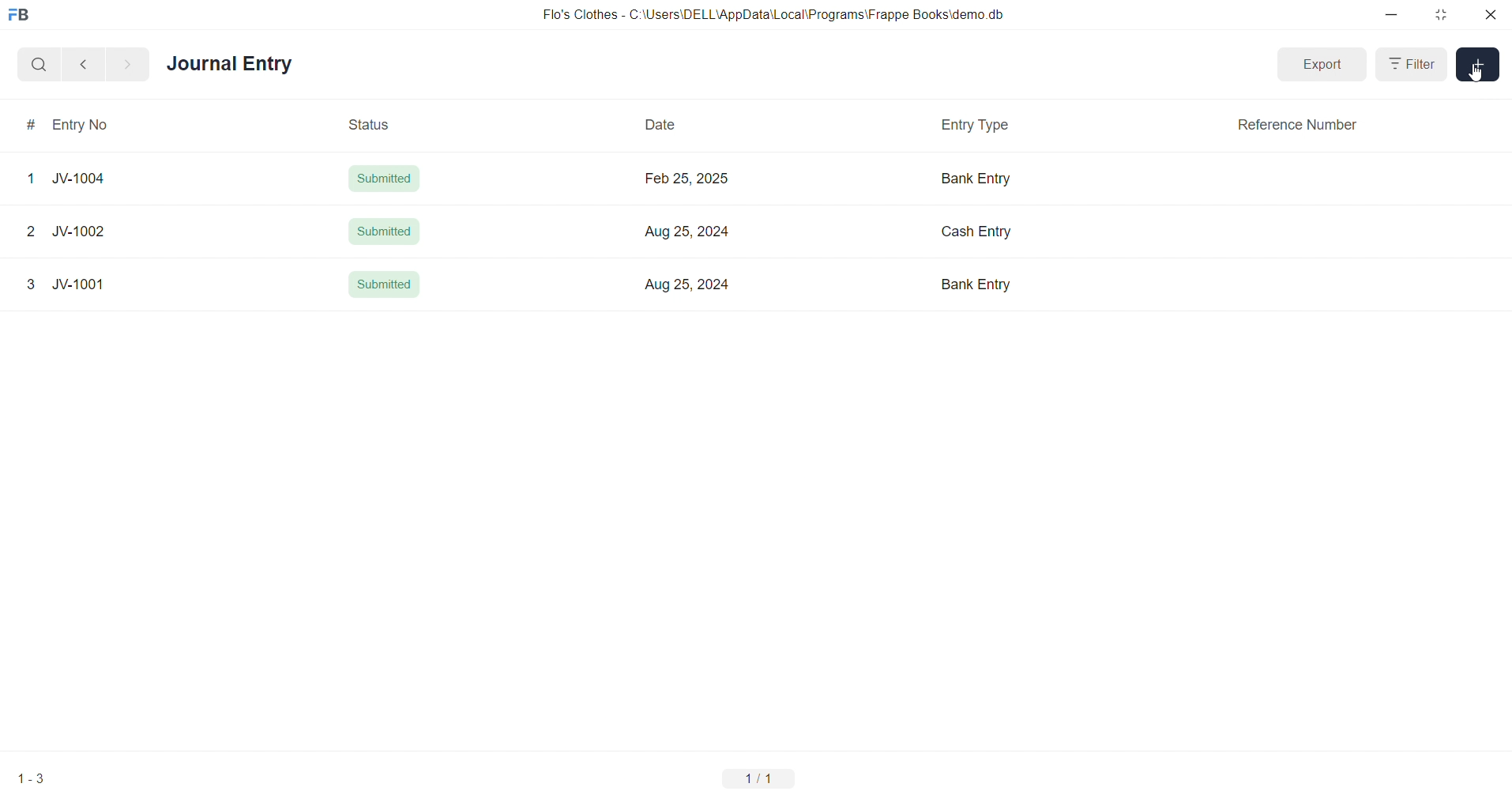 Image resolution: width=1512 pixels, height=806 pixels. Describe the element at coordinates (78, 177) in the screenshot. I see `JV-1004` at that location.